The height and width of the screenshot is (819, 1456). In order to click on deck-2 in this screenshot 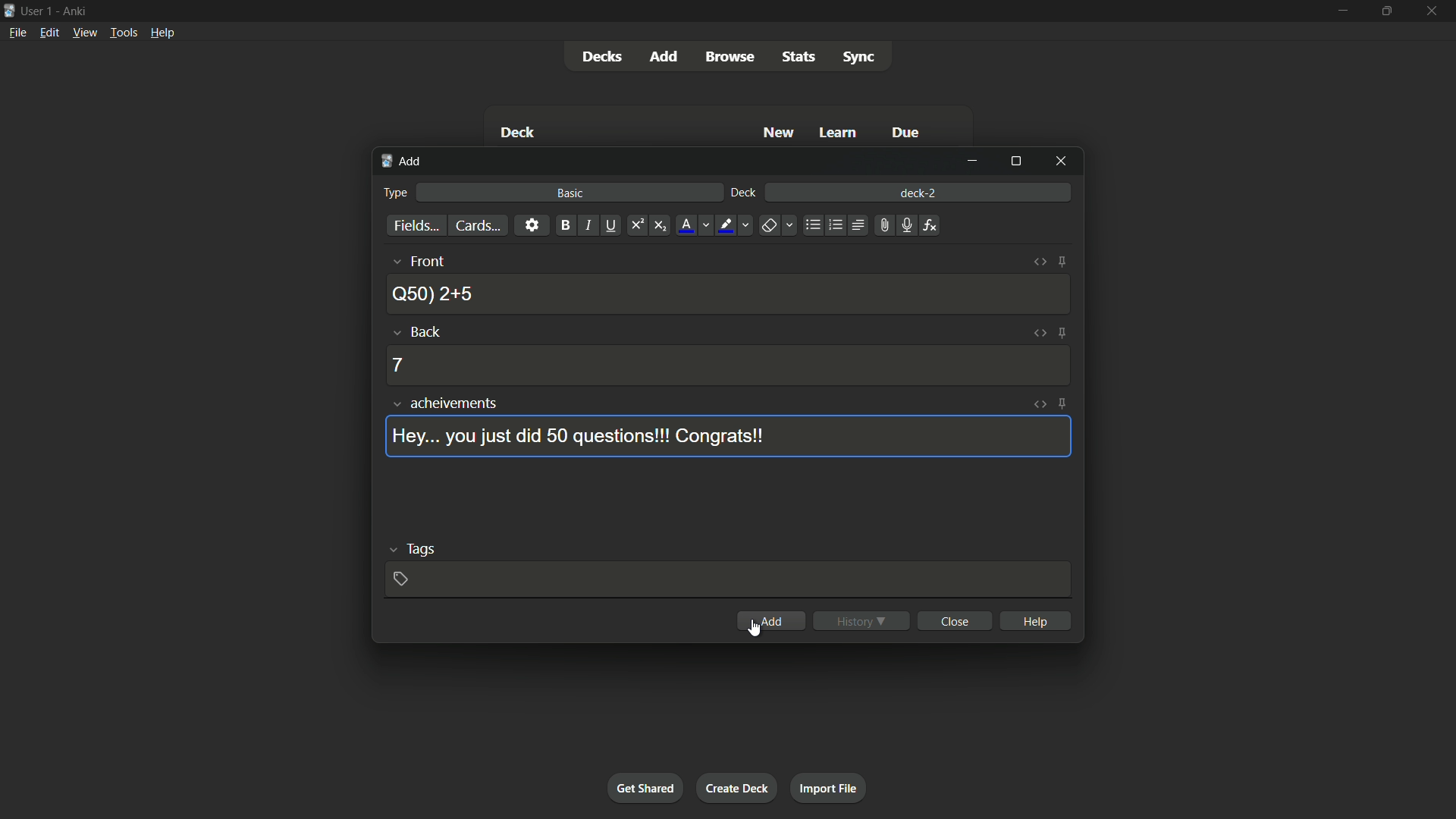, I will do `click(920, 192)`.